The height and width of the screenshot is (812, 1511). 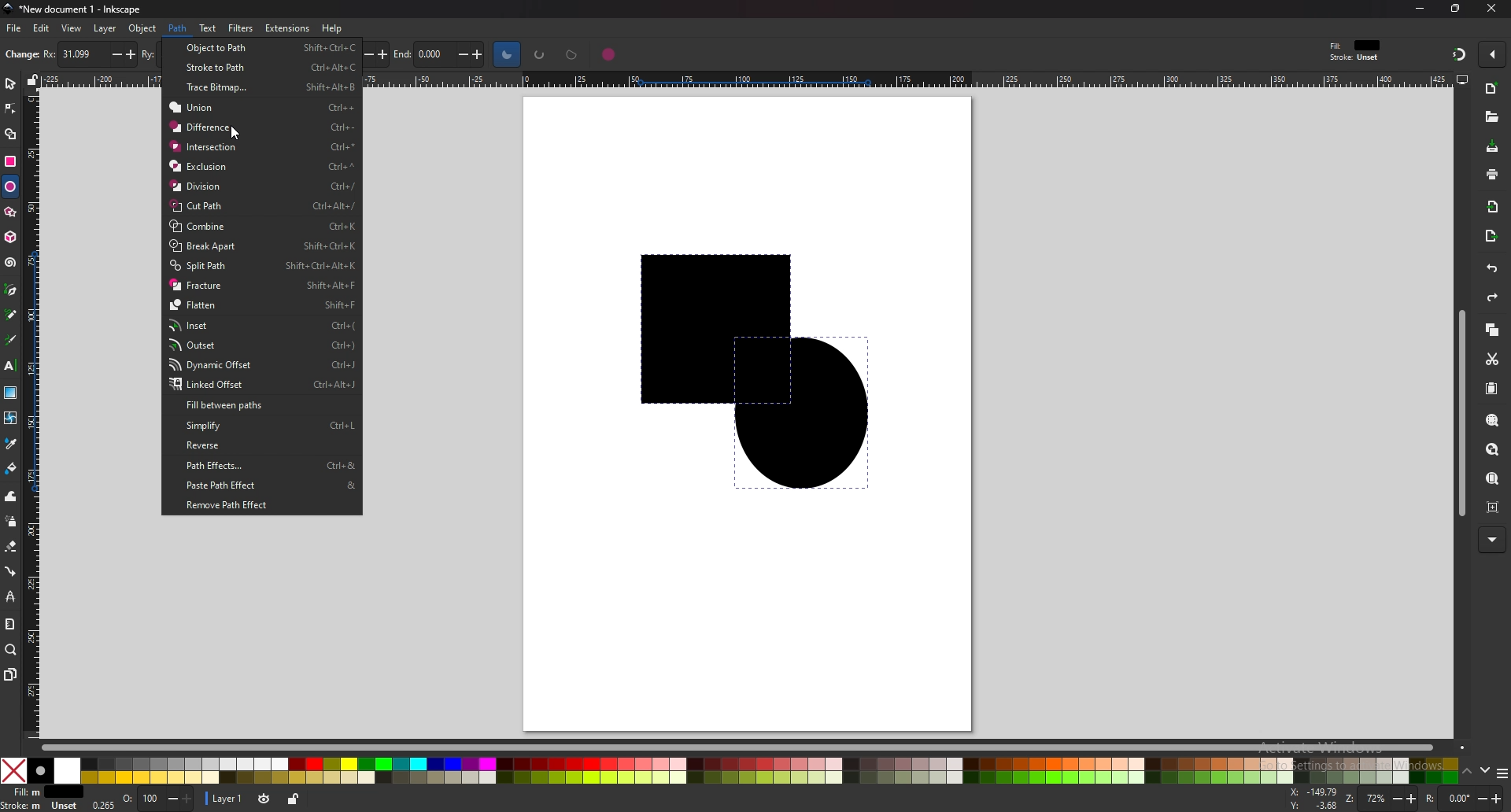 What do you see at coordinates (1421, 8) in the screenshot?
I see `minimize` at bounding box center [1421, 8].